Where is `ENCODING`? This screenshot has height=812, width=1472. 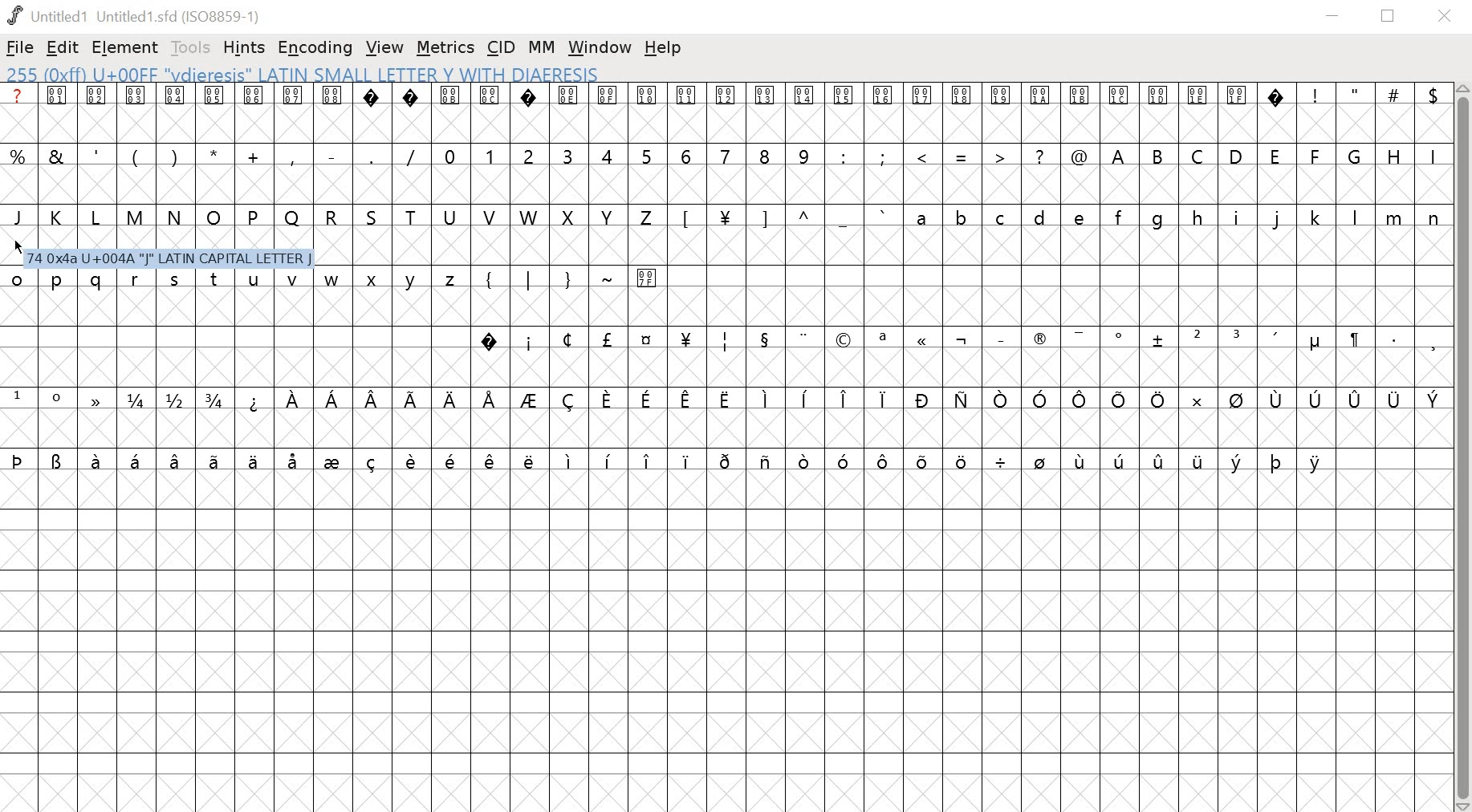
ENCODING is located at coordinates (315, 48).